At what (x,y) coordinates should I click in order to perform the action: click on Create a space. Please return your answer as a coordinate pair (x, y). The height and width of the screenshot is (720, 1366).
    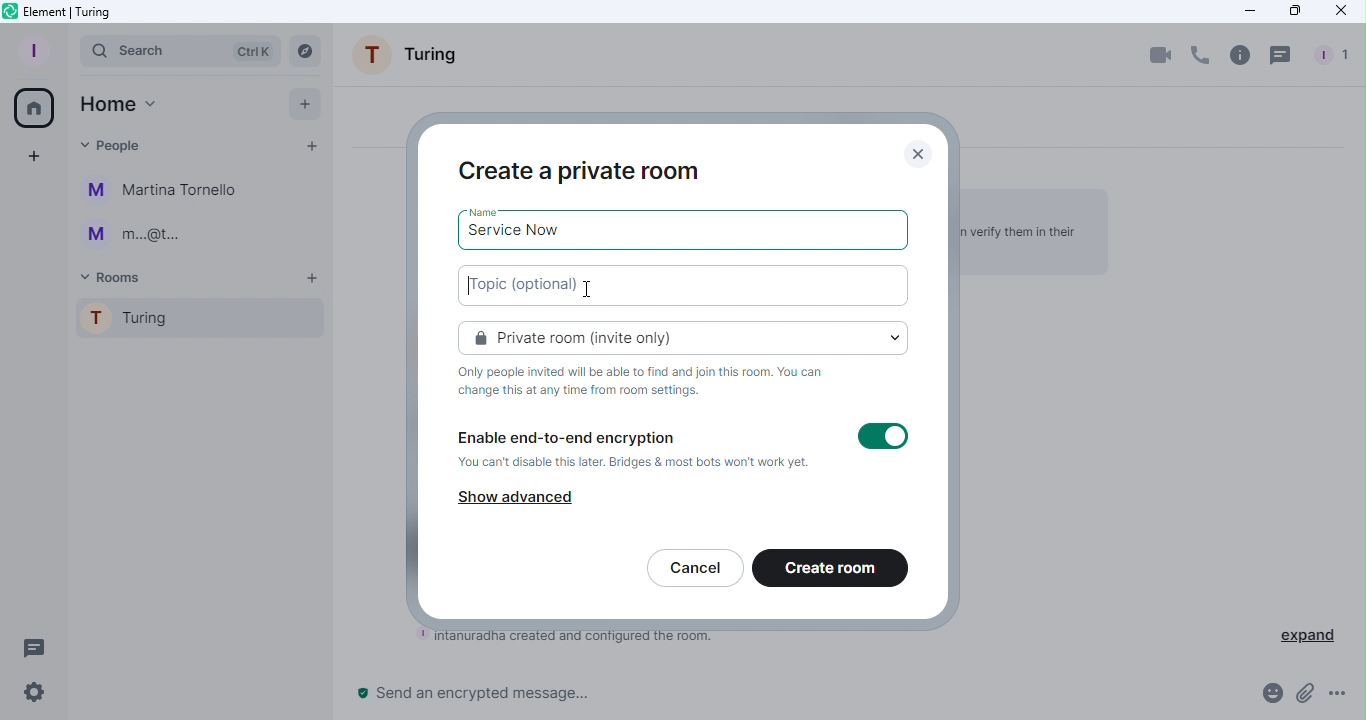
    Looking at the image, I should click on (35, 157).